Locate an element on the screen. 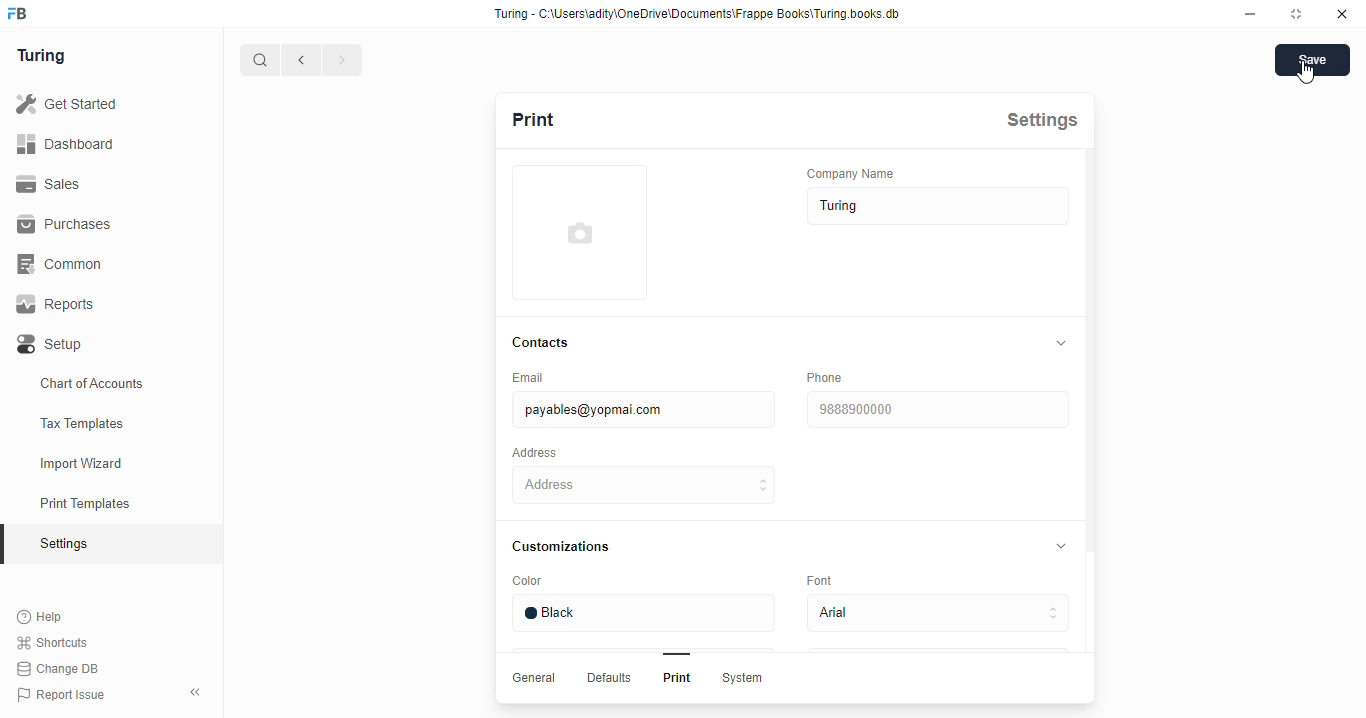  collapse is located at coordinates (1062, 342).